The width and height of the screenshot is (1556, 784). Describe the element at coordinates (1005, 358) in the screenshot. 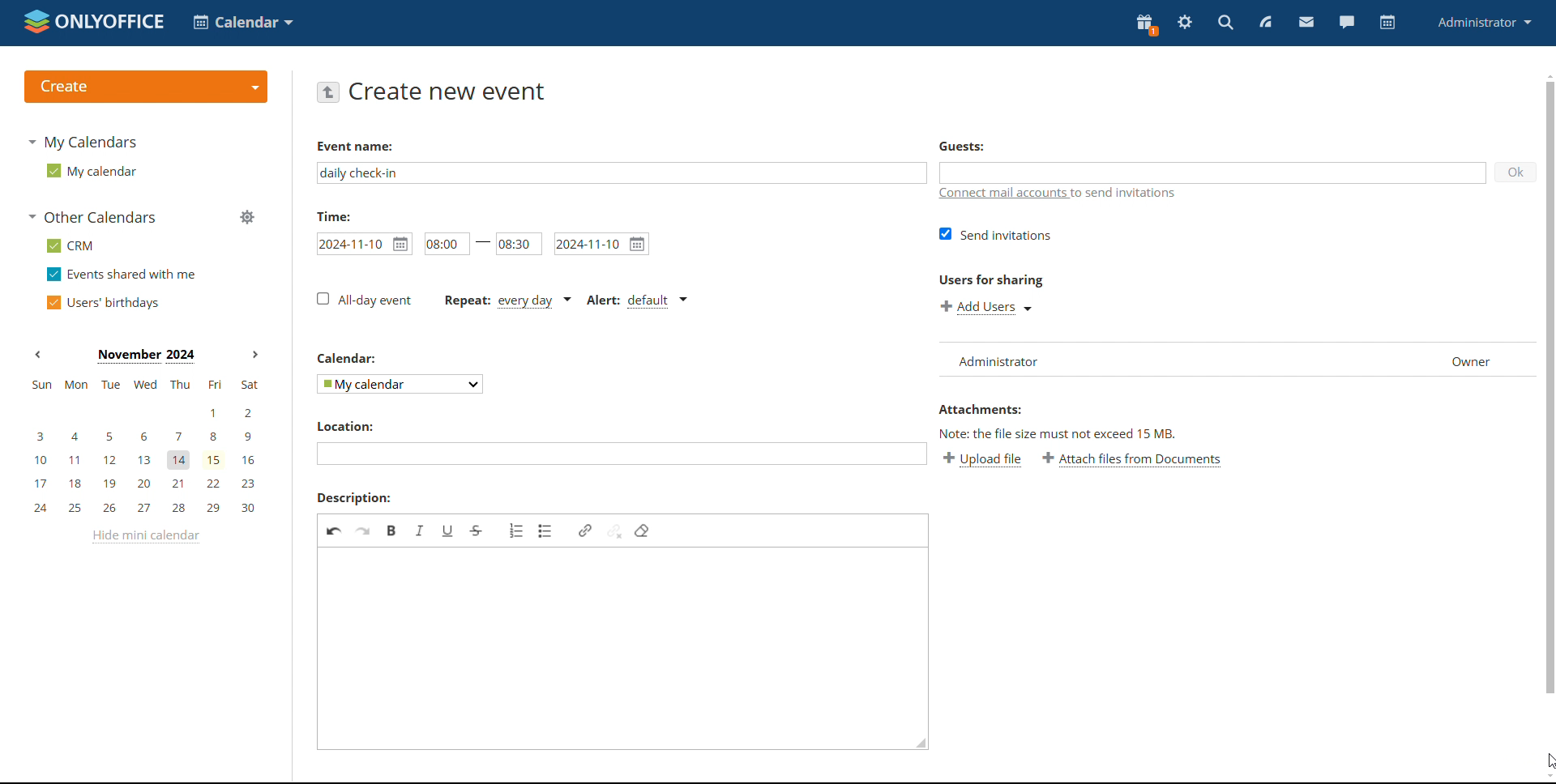

I see `list of users` at that location.